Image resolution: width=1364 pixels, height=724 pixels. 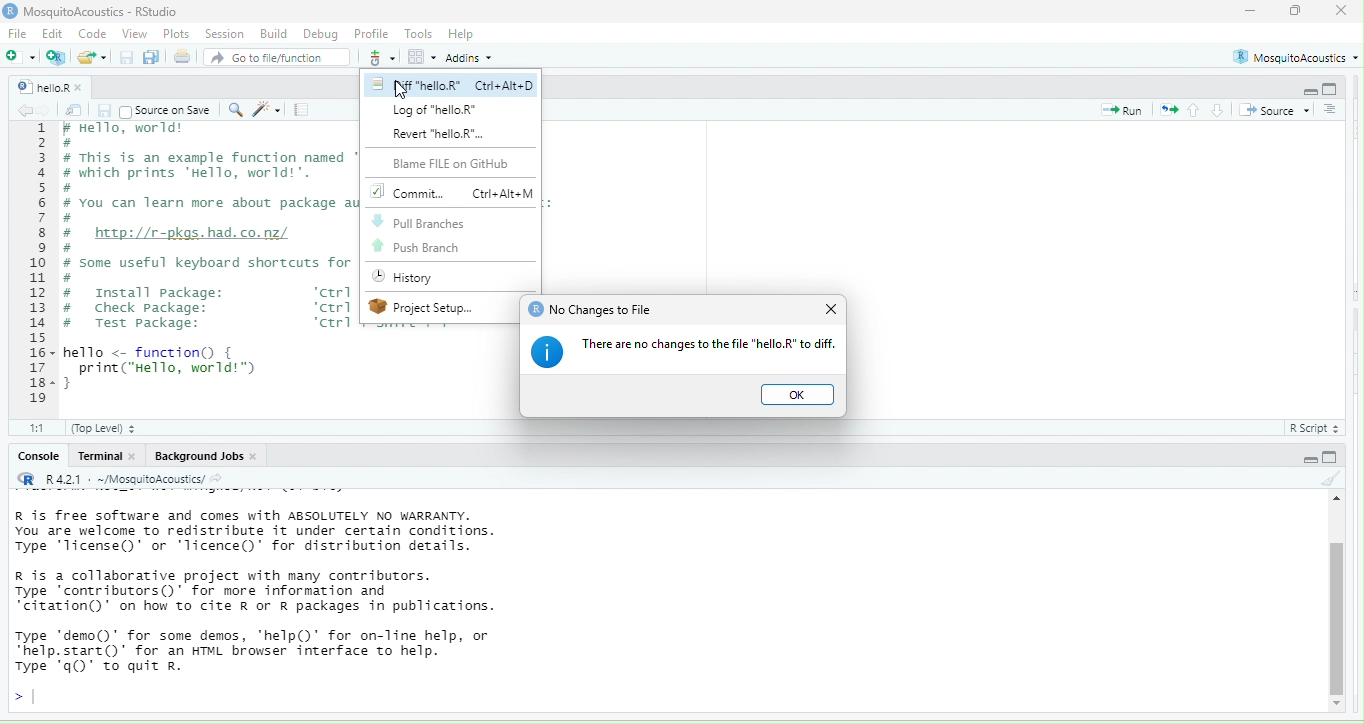 What do you see at coordinates (136, 480) in the screenshot?
I see `R R421 - ~/MosquitoAcoustics/` at bounding box center [136, 480].